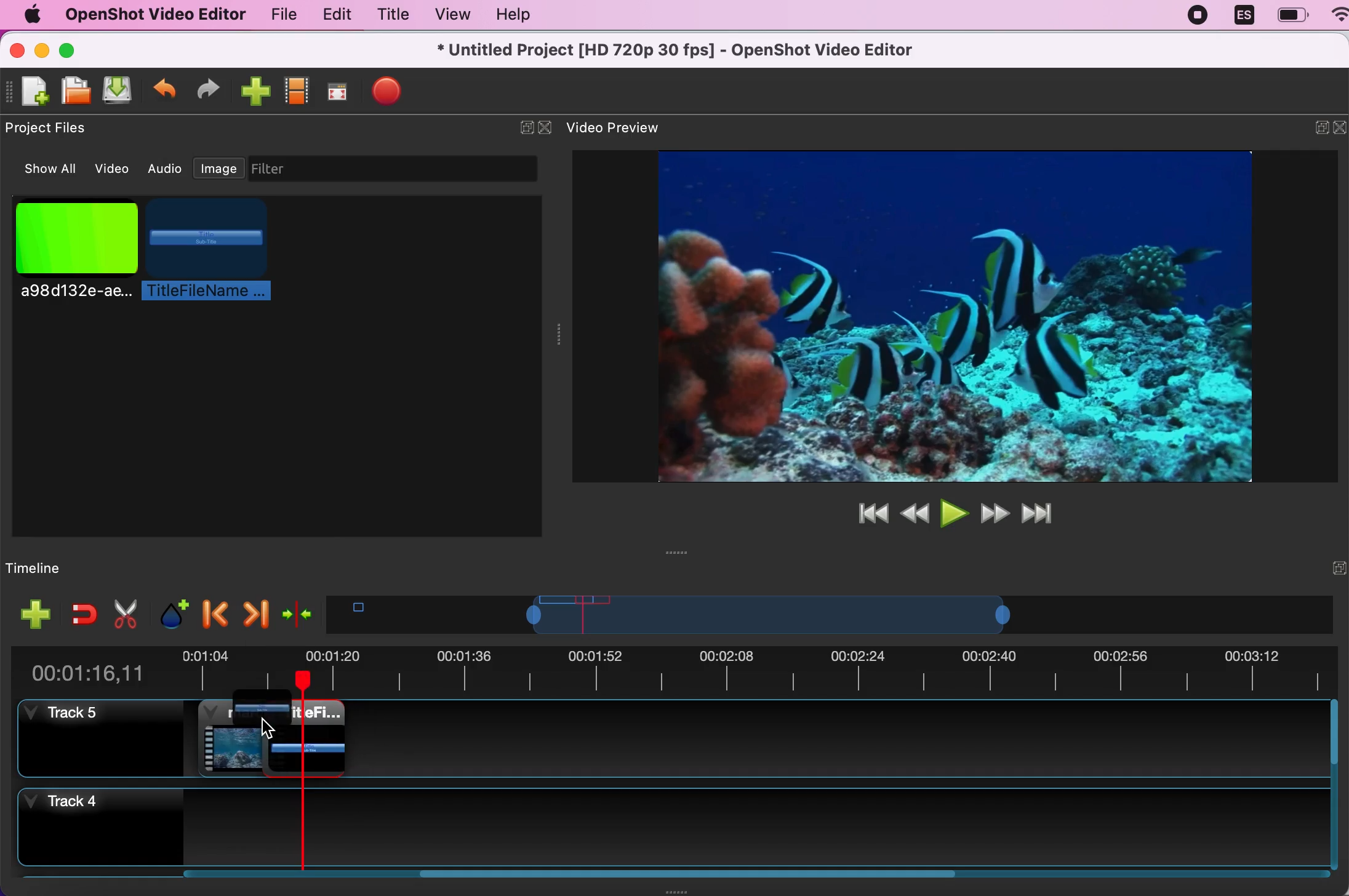 The height and width of the screenshot is (896, 1349). Describe the element at coordinates (517, 122) in the screenshot. I see `hide/expand` at that location.